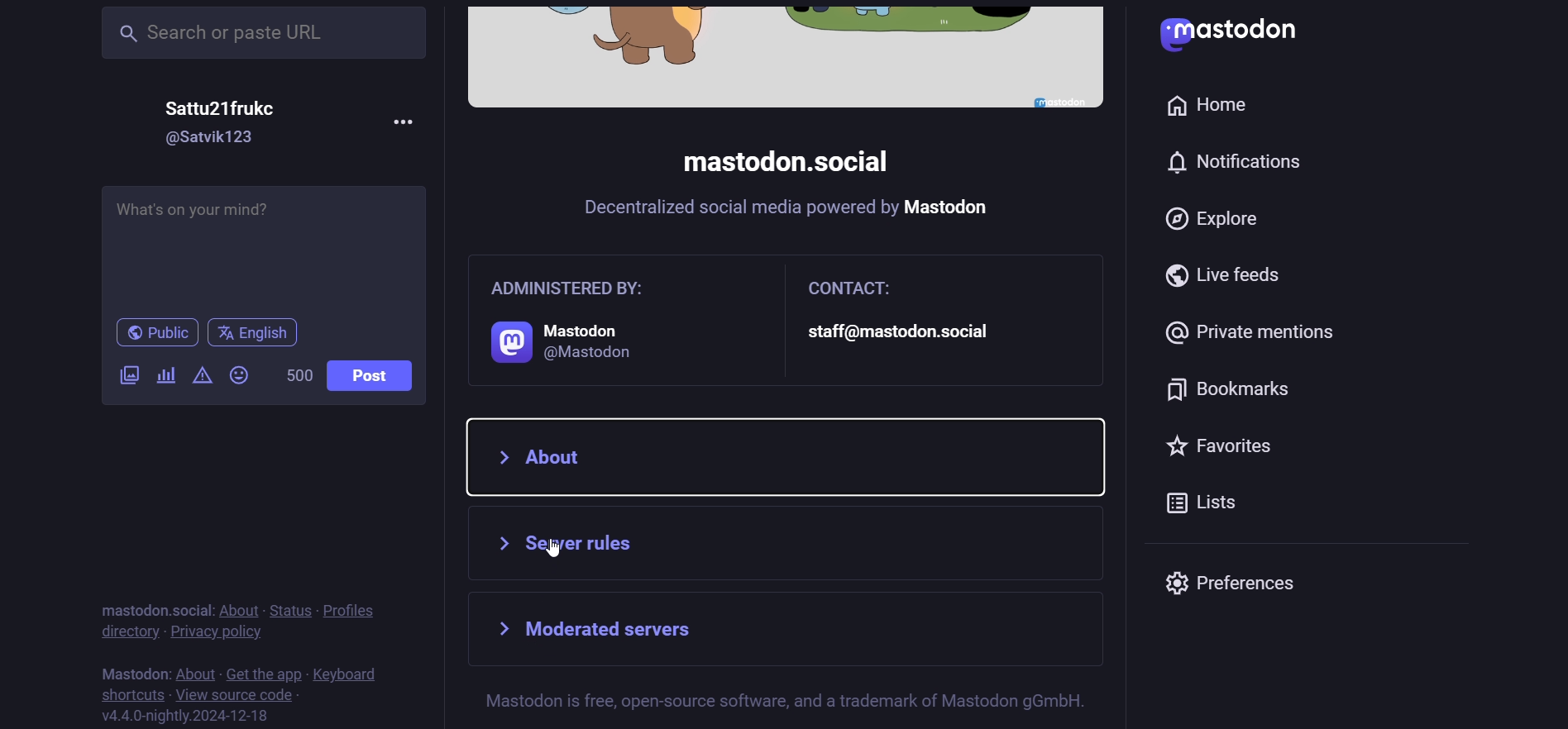  I want to click on mastodon social, so click(779, 163).